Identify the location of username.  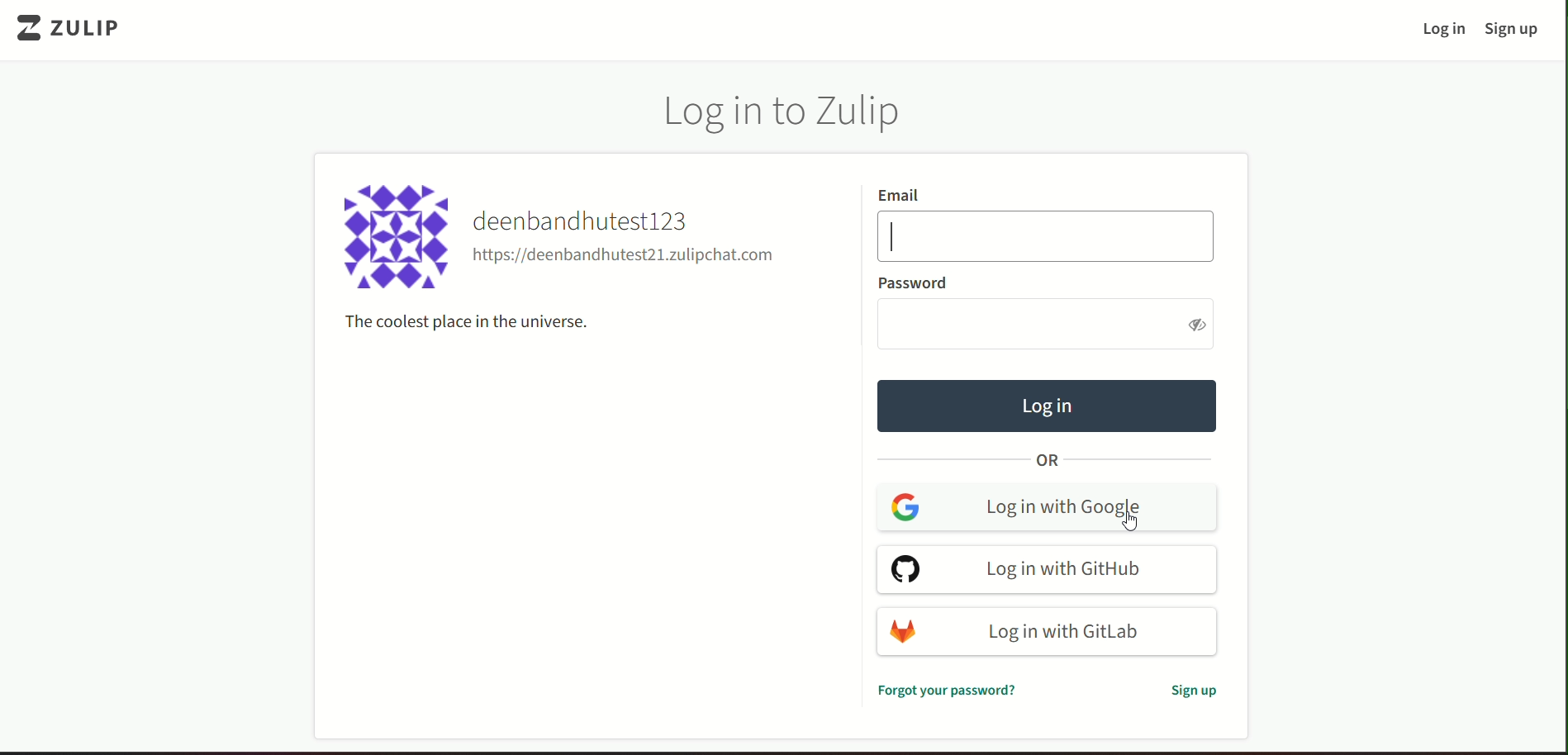
(589, 221).